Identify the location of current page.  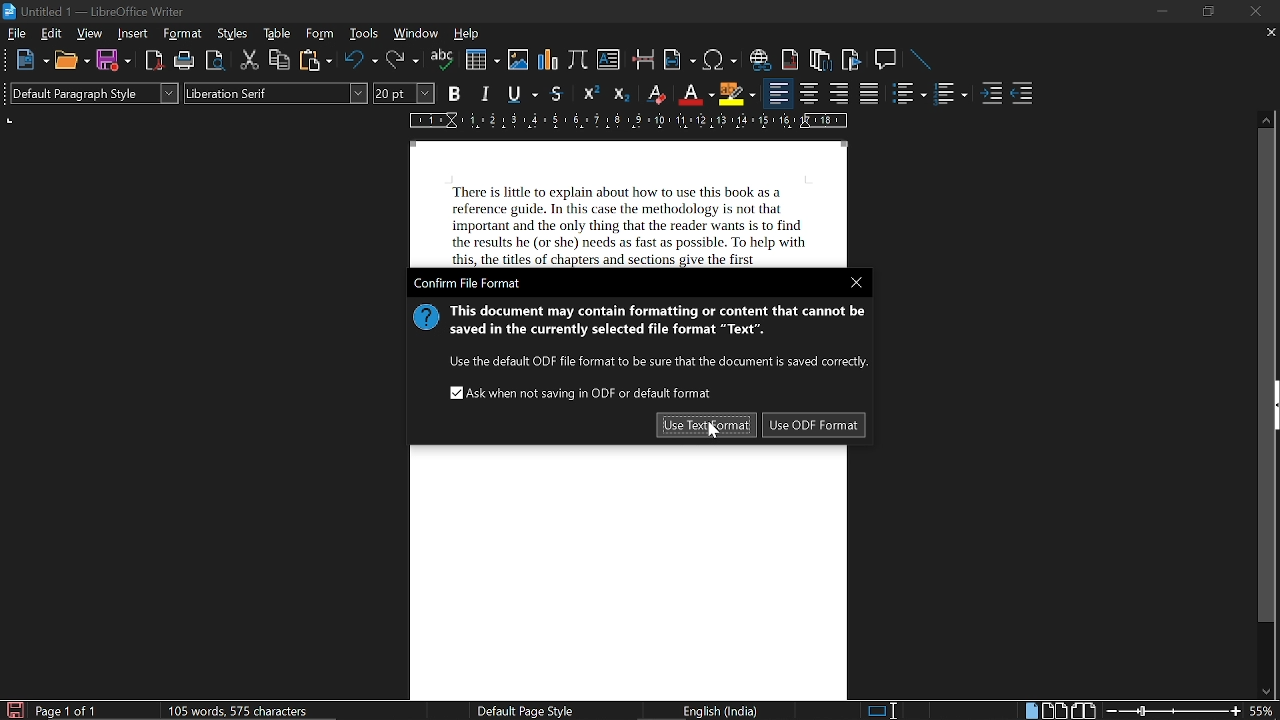
(66, 711).